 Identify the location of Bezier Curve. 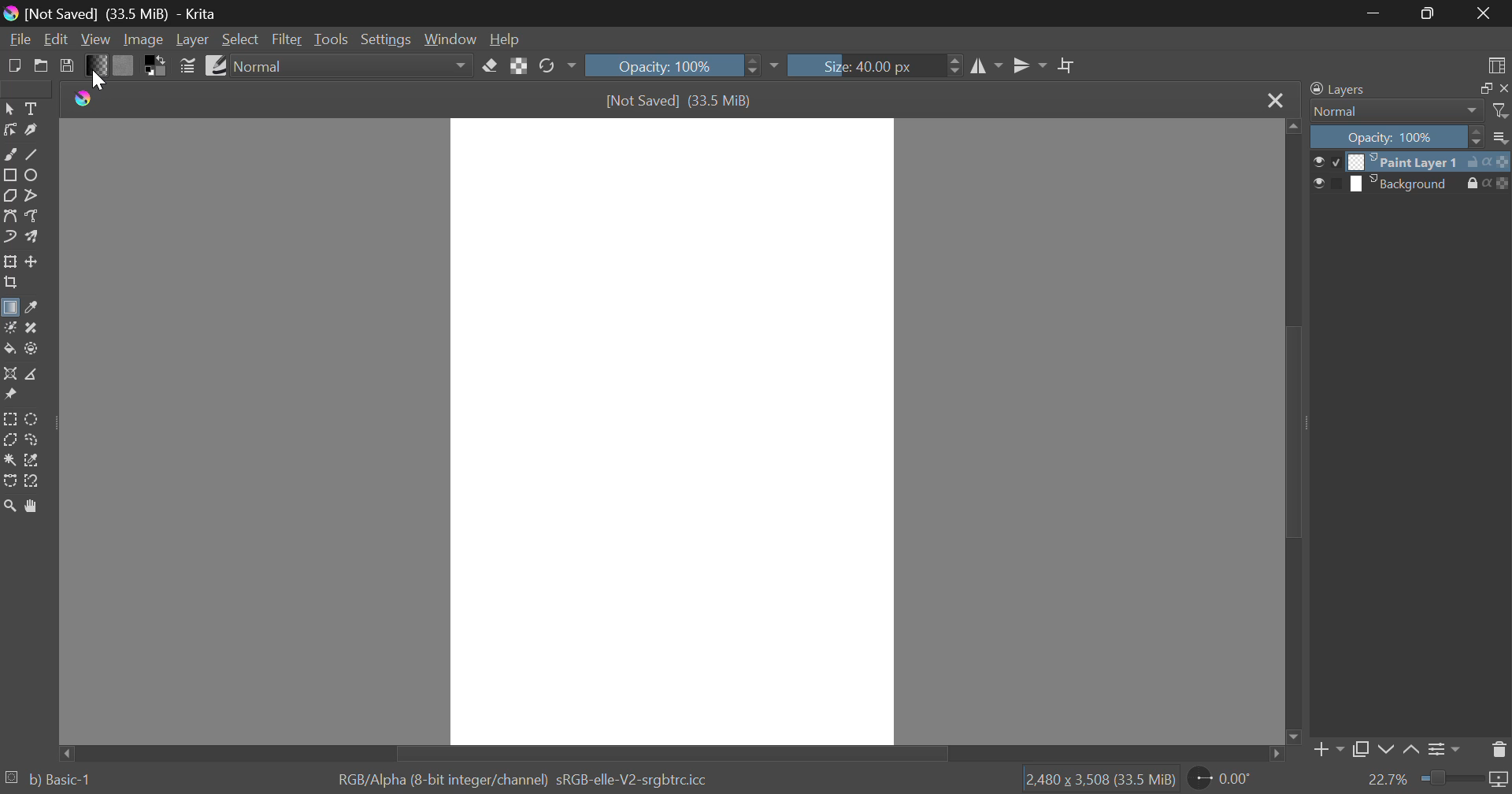
(9, 216).